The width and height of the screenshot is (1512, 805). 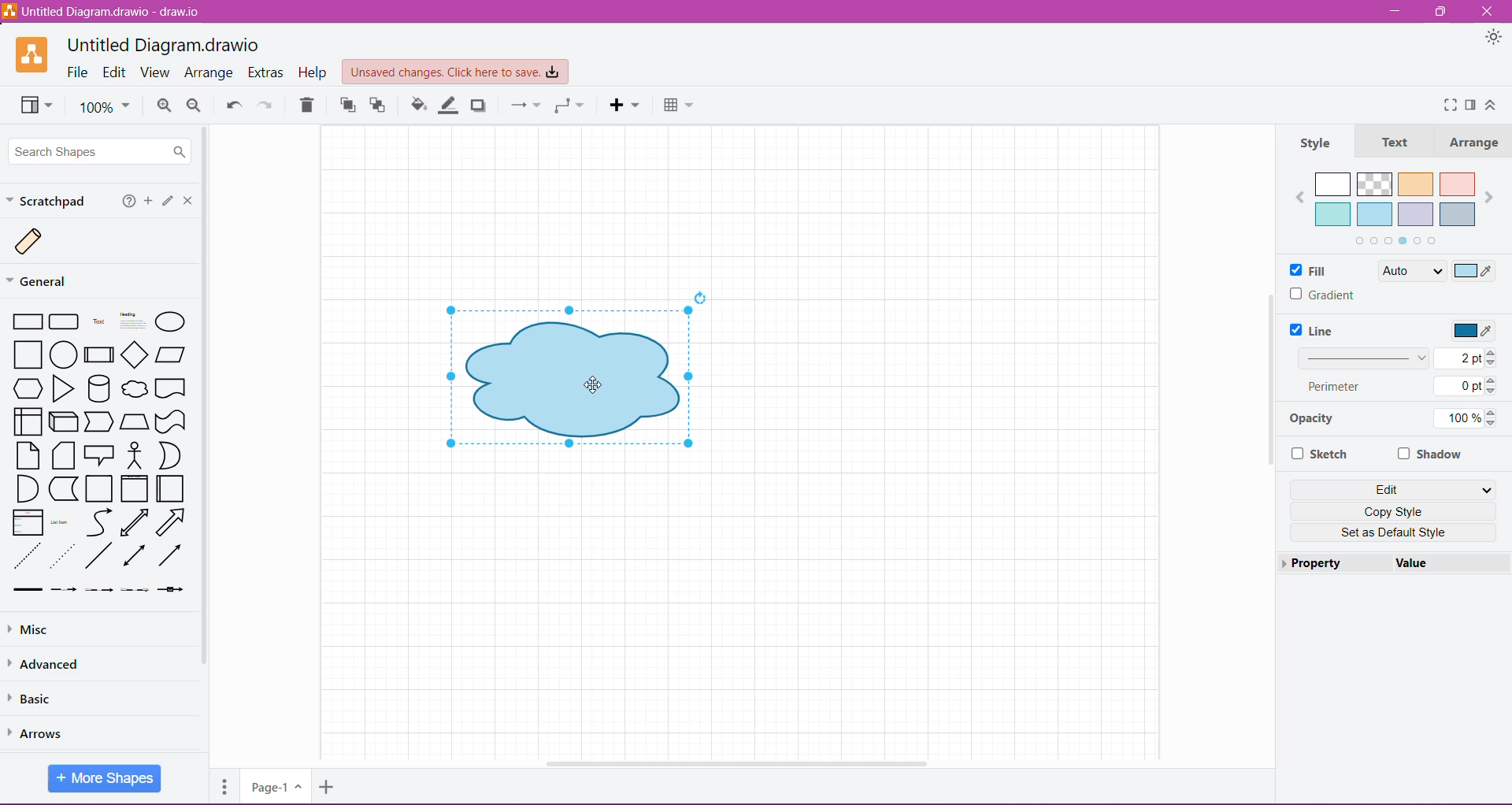 I want to click on Close, so click(x=191, y=202).